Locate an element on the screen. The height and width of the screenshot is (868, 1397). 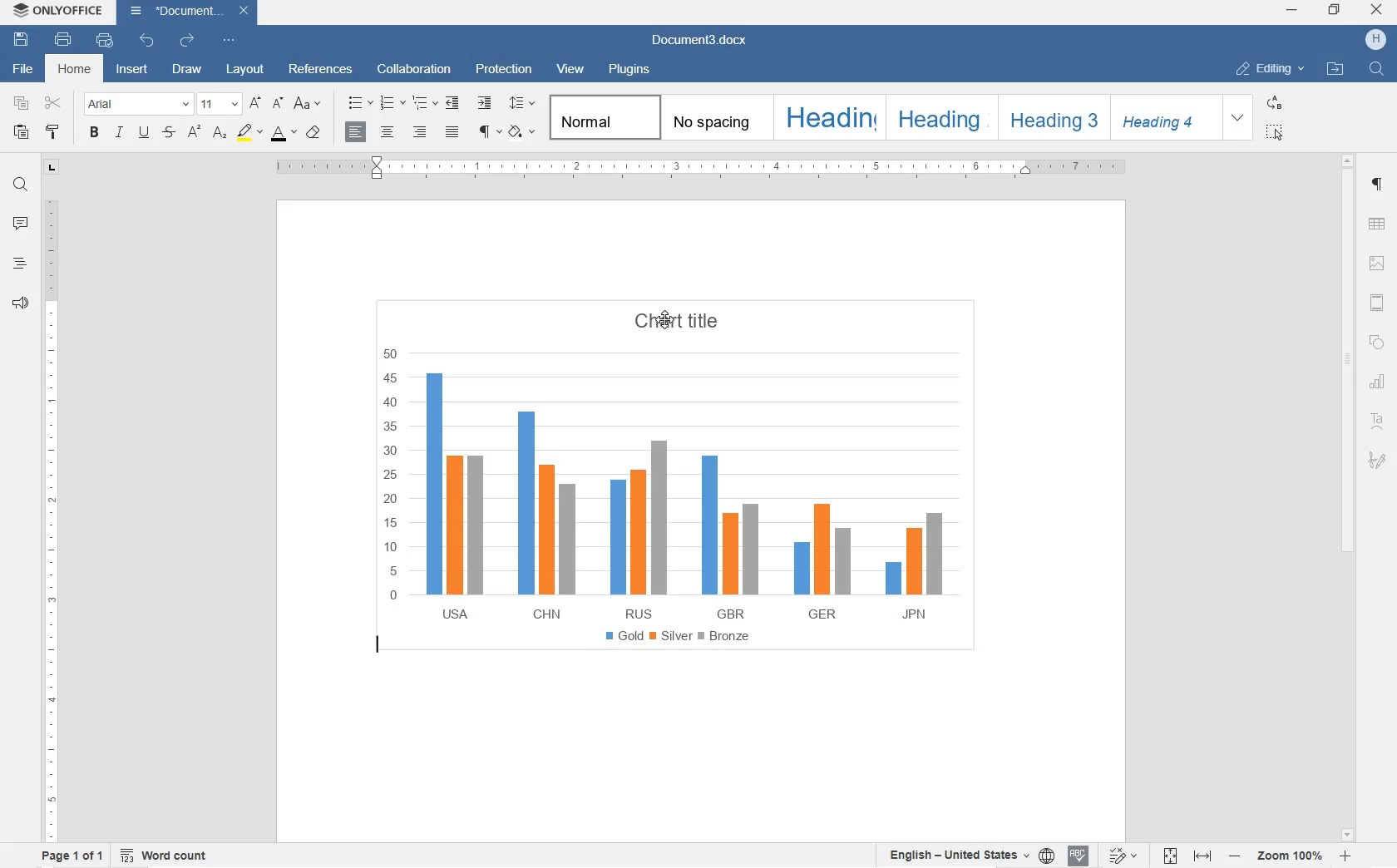
WORD COUNT is located at coordinates (168, 856).